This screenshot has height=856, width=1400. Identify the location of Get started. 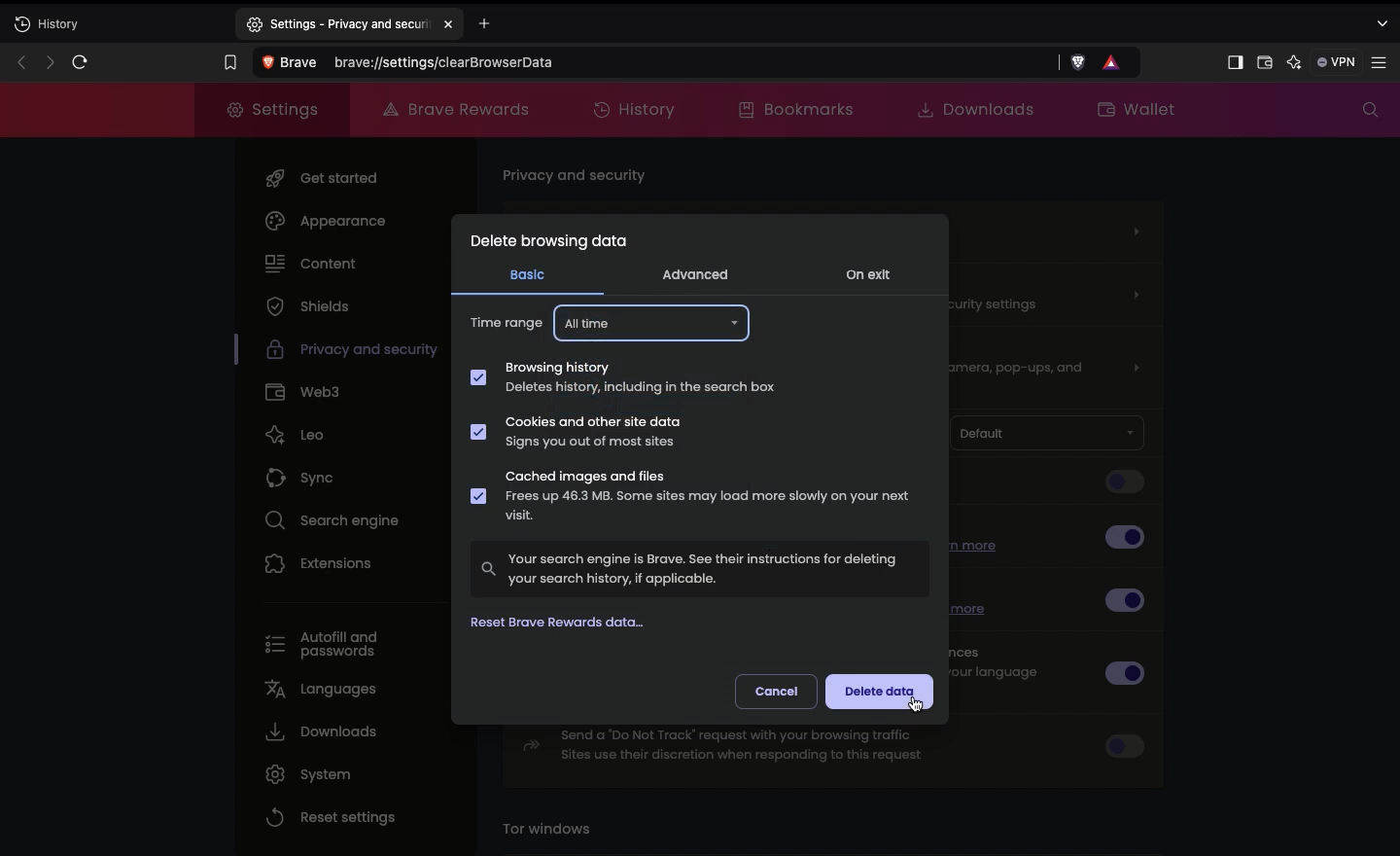
(323, 180).